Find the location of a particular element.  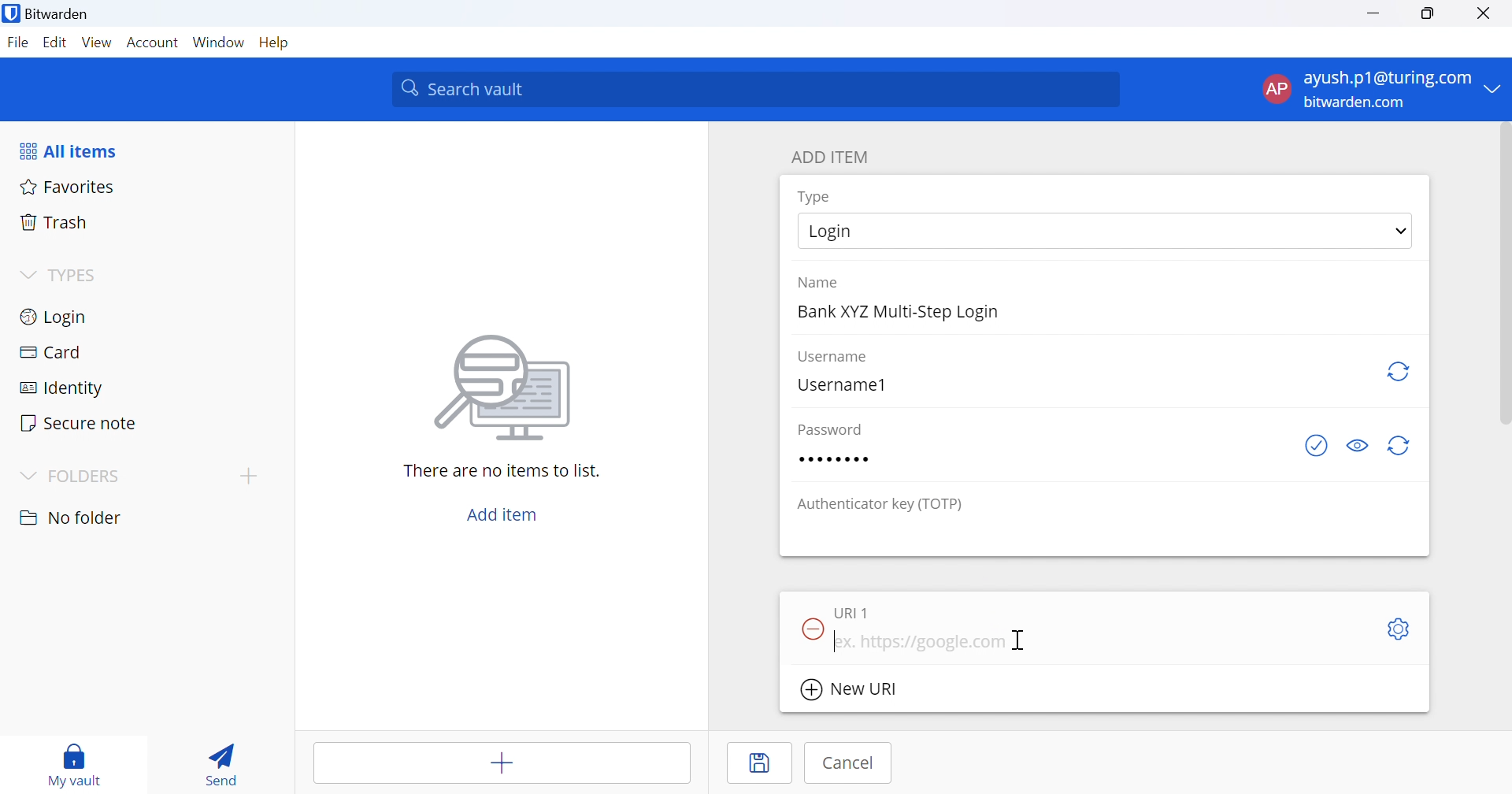

There are no items to list. is located at coordinates (502, 471).